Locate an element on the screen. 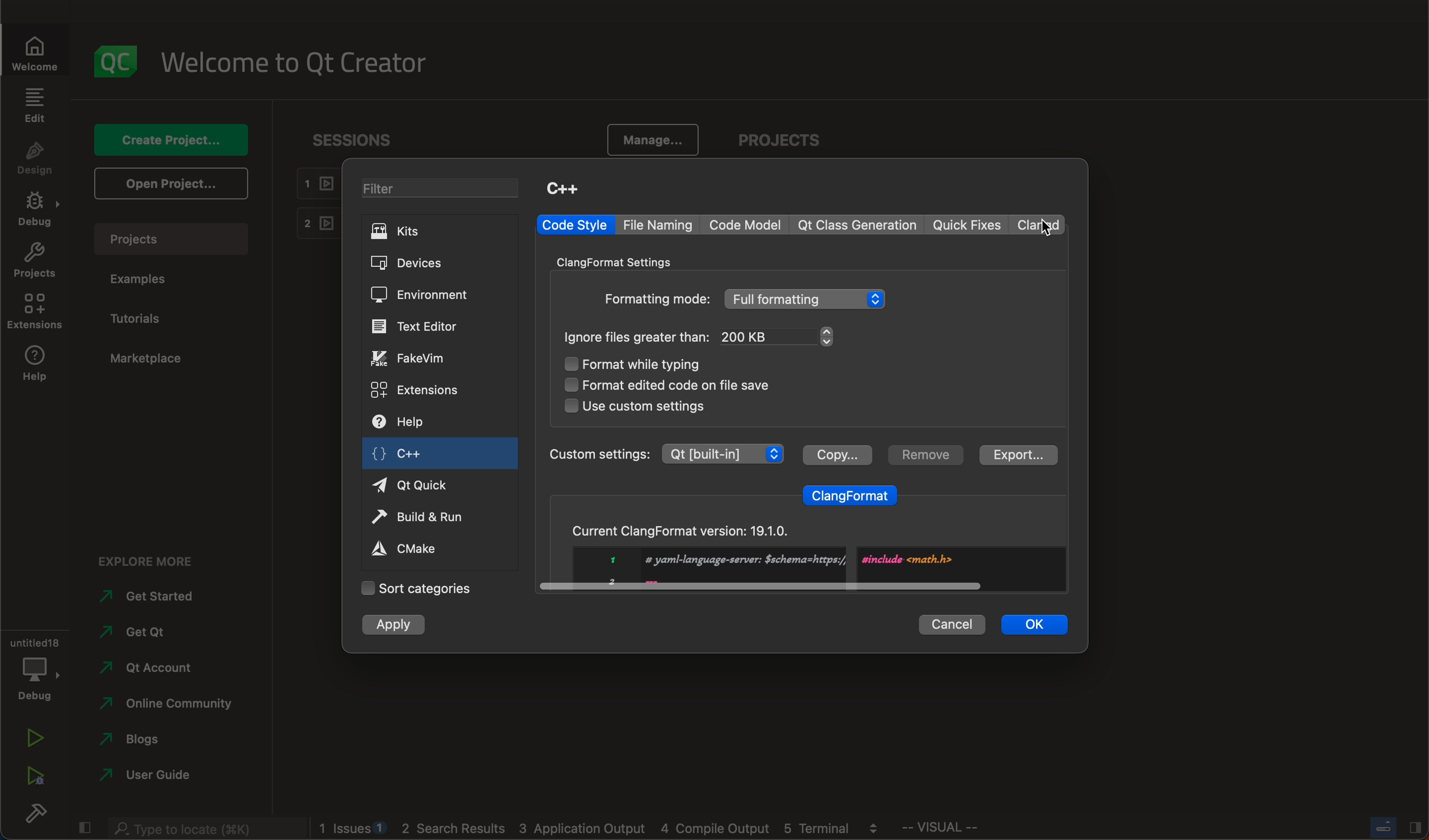 The height and width of the screenshot is (840, 1429). sessions is located at coordinates (349, 139).